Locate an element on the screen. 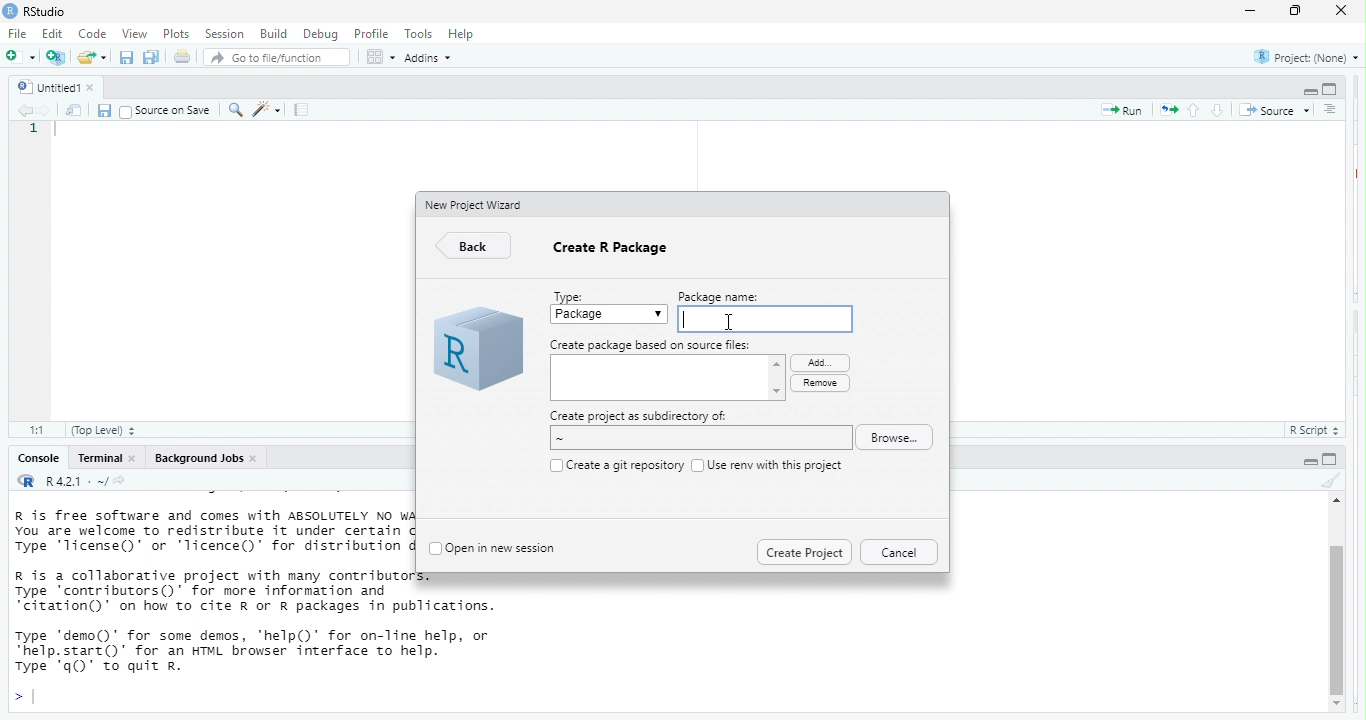 The image size is (1366, 720).  Untitled1 is located at coordinates (45, 85).